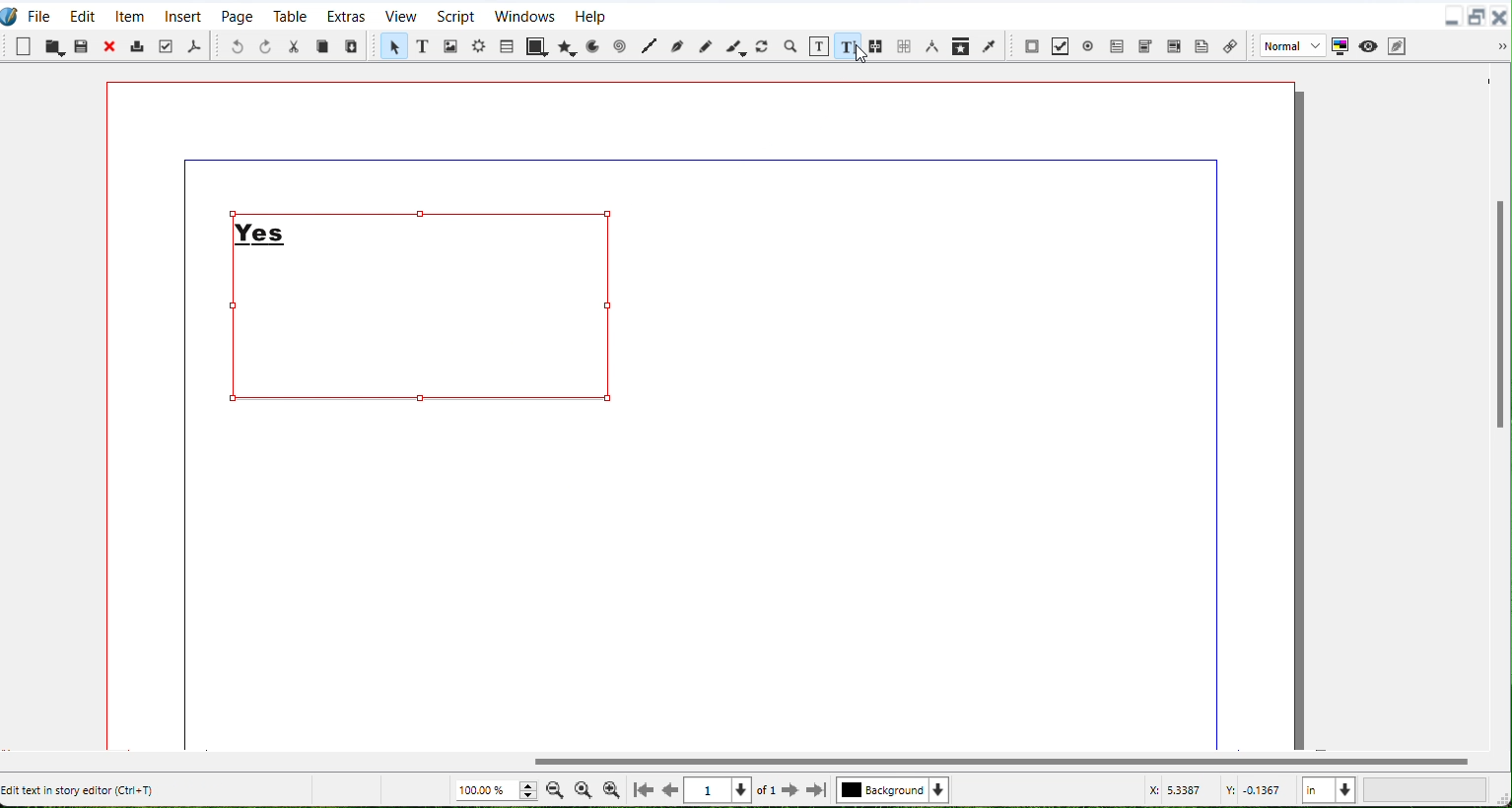  Describe the element at coordinates (290, 16) in the screenshot. I see `Table` at that location.